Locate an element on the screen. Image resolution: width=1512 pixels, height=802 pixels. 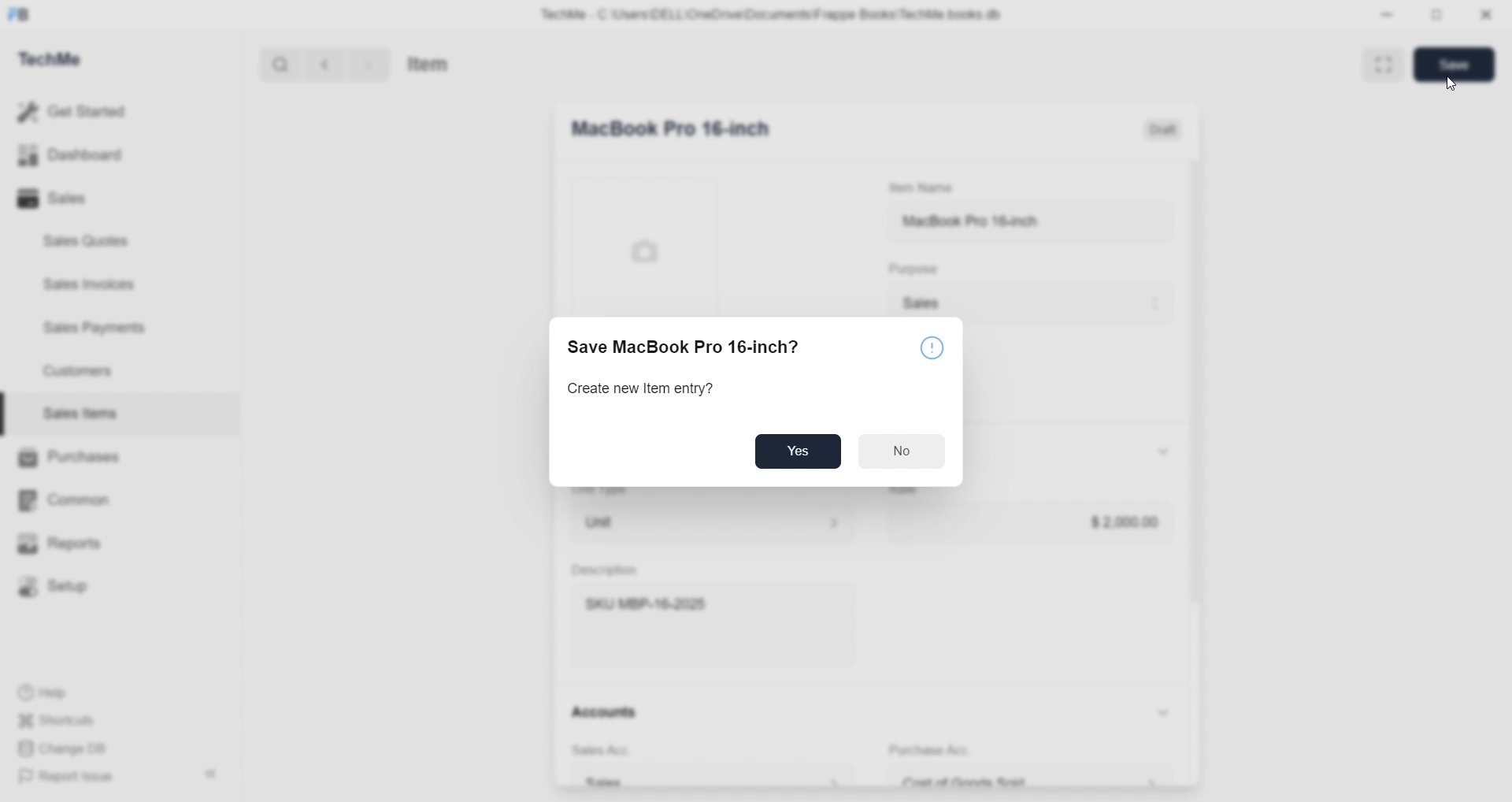
No is located at coordinates (902, 451).